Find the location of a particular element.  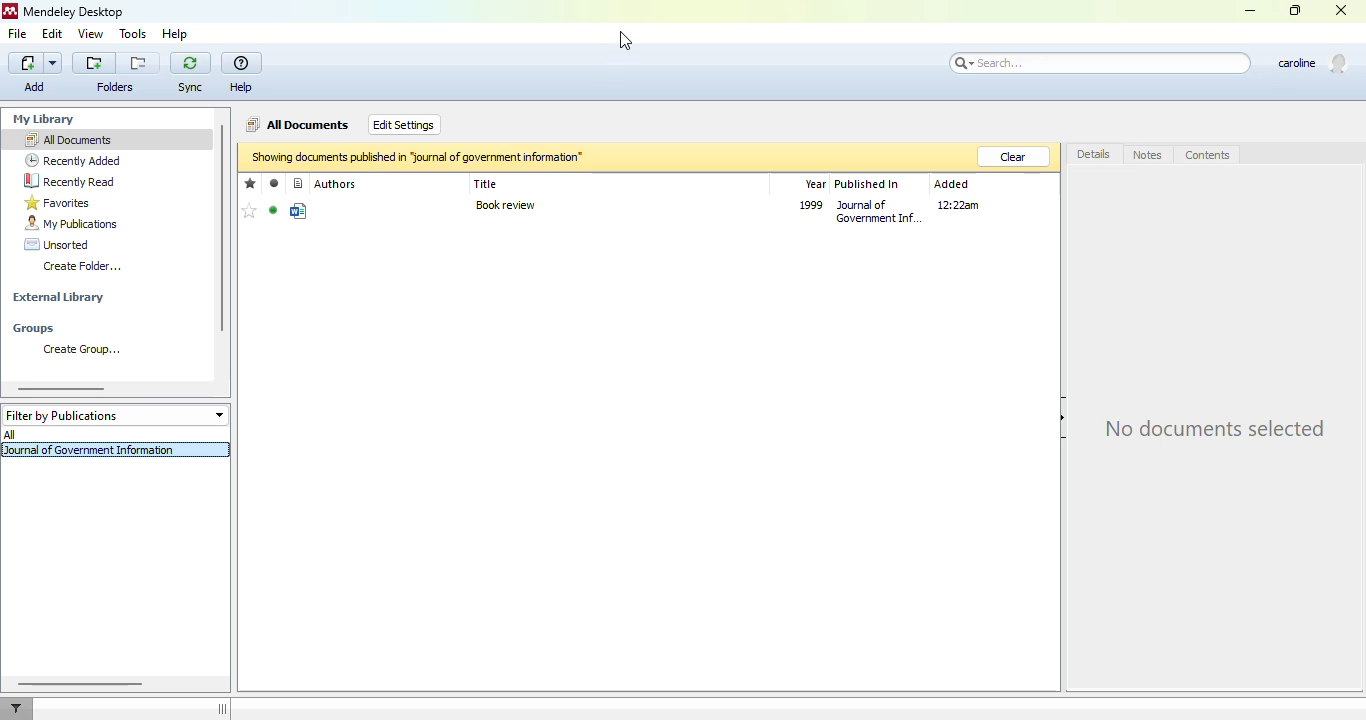

create folder is located at coordinates (82, 266).